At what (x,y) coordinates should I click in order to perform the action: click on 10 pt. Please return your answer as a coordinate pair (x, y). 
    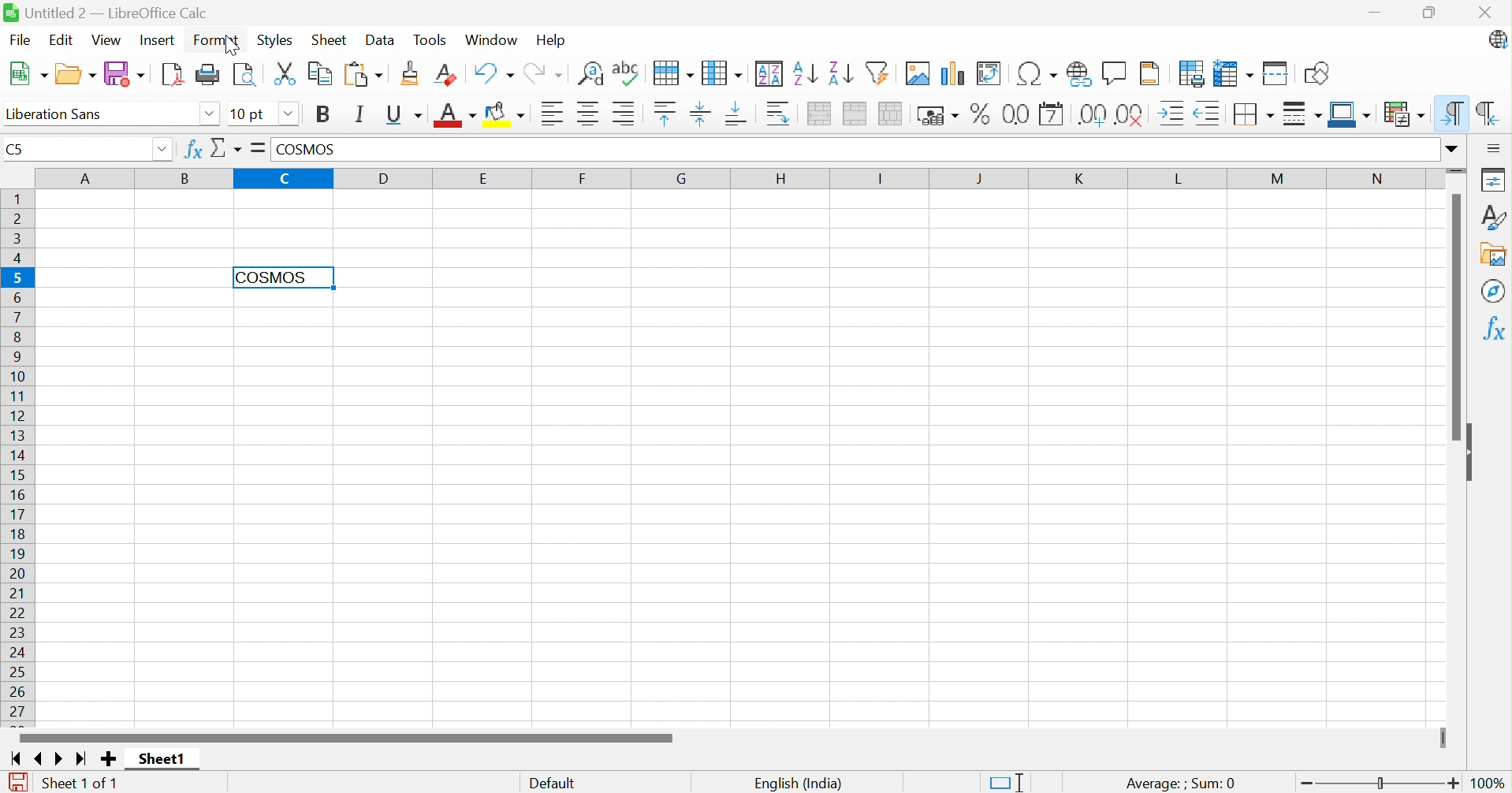
    Looking at the image, I should click on (248, 115).